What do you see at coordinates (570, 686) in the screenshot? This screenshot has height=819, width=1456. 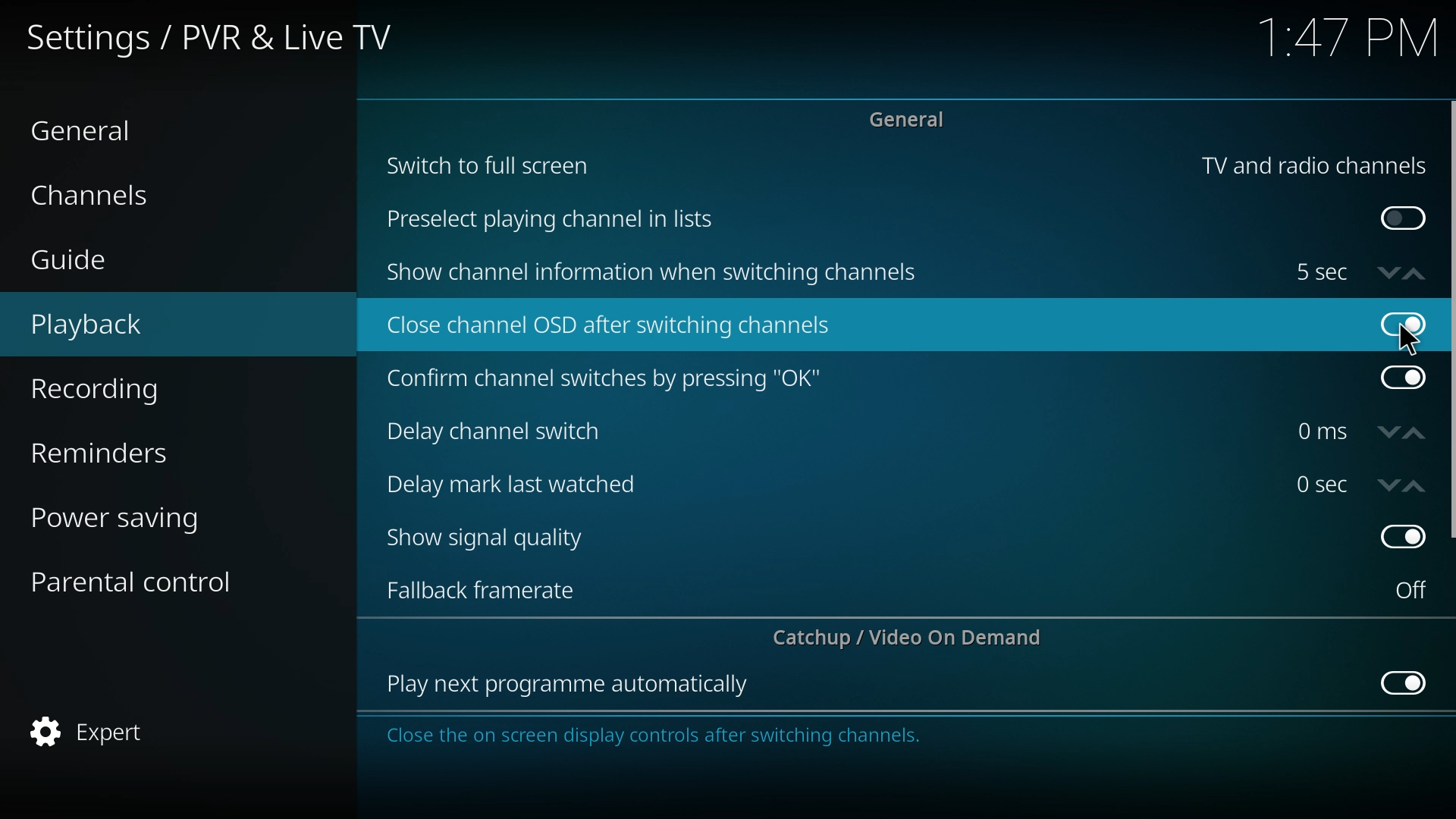 I see `play next program automatically` at bounding box center [570, 686].